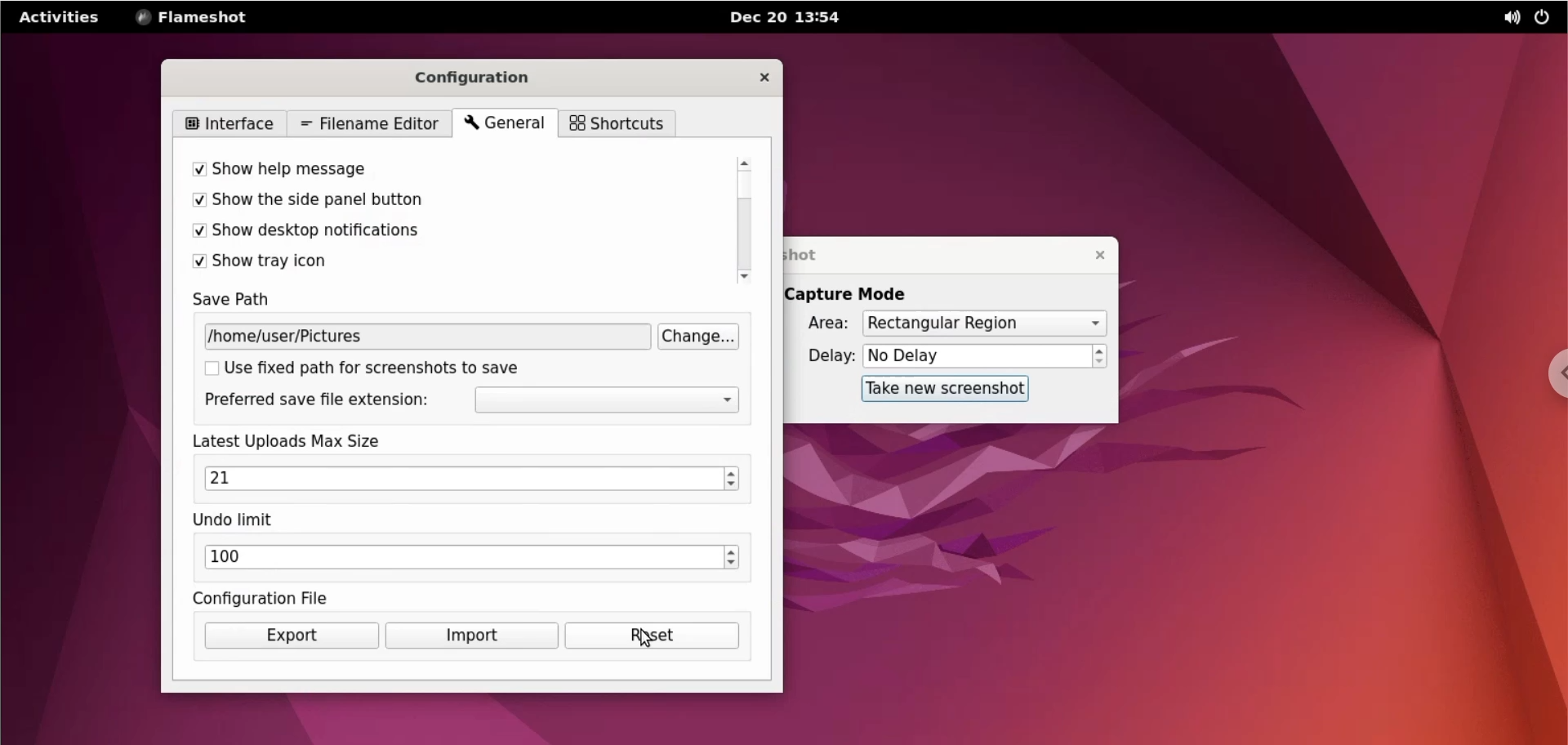 This screenshot has height=745, width=1568. What do you see at coordinates (463, 560) in the screenshot?
I see `undo limit text box` at bounding box center [463, 560].